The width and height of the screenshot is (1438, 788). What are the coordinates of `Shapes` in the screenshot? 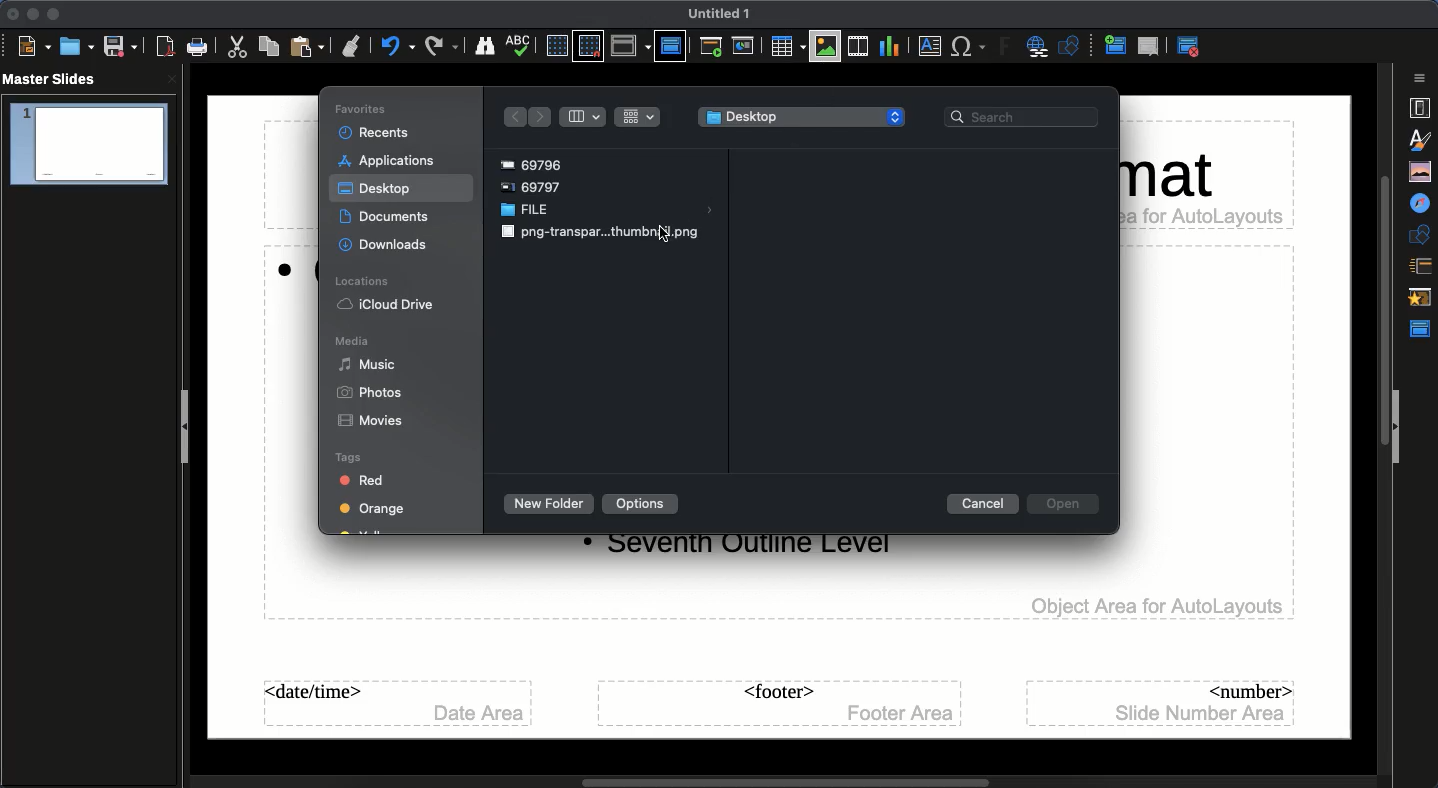 It's located at (1072, 48).